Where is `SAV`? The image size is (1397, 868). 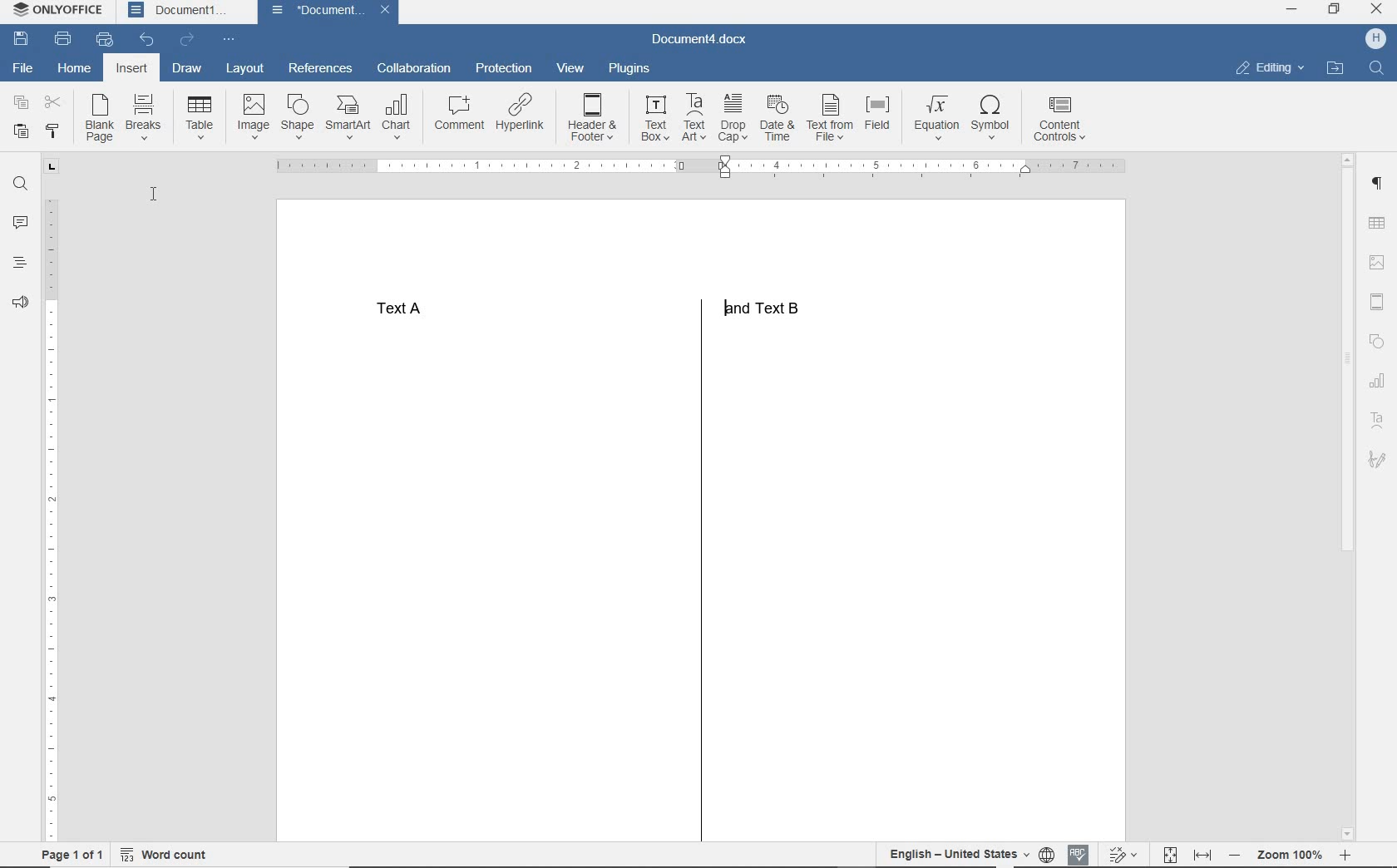 SAV is located at coordinates (18, 40).